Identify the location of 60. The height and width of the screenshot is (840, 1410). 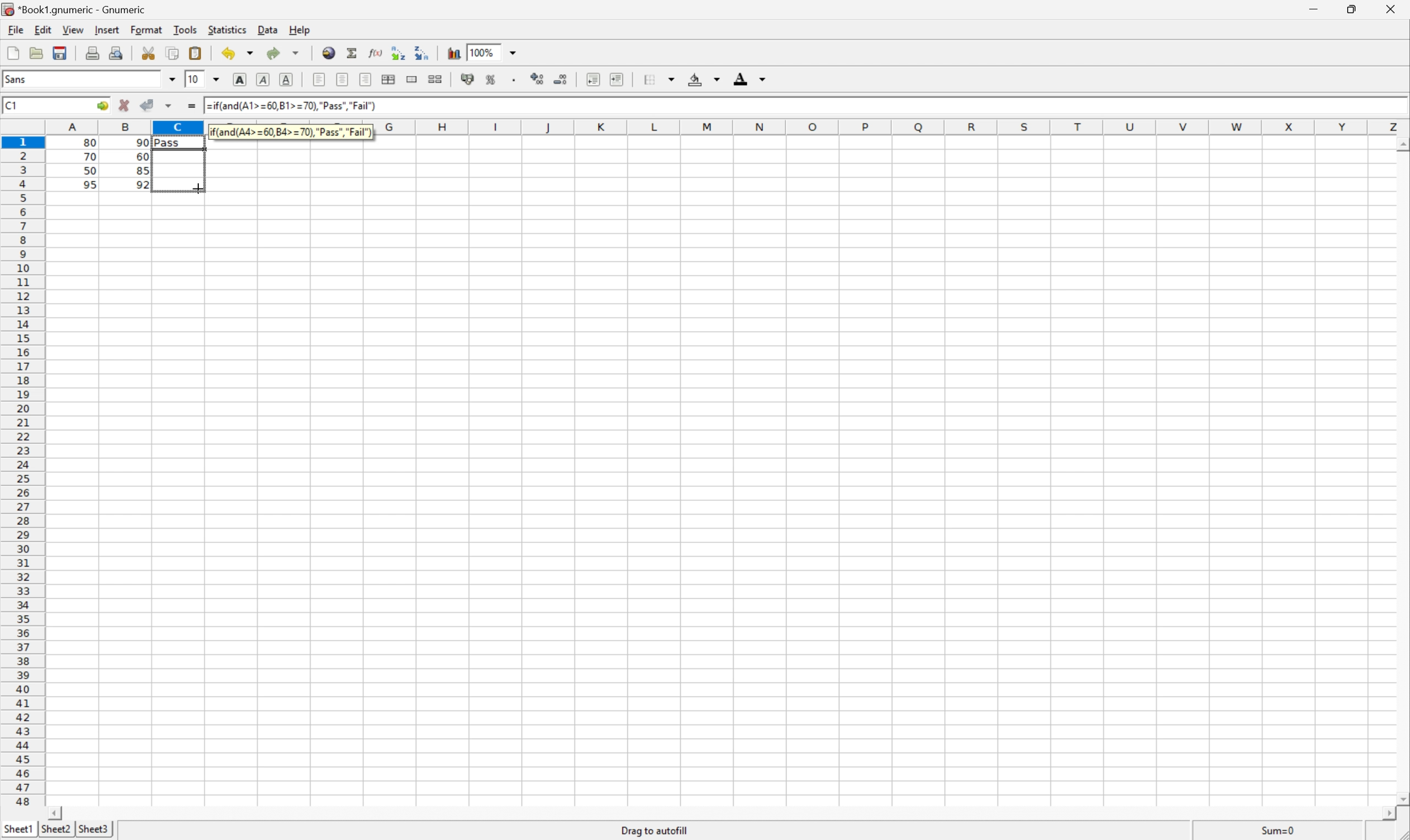
(142, 156).